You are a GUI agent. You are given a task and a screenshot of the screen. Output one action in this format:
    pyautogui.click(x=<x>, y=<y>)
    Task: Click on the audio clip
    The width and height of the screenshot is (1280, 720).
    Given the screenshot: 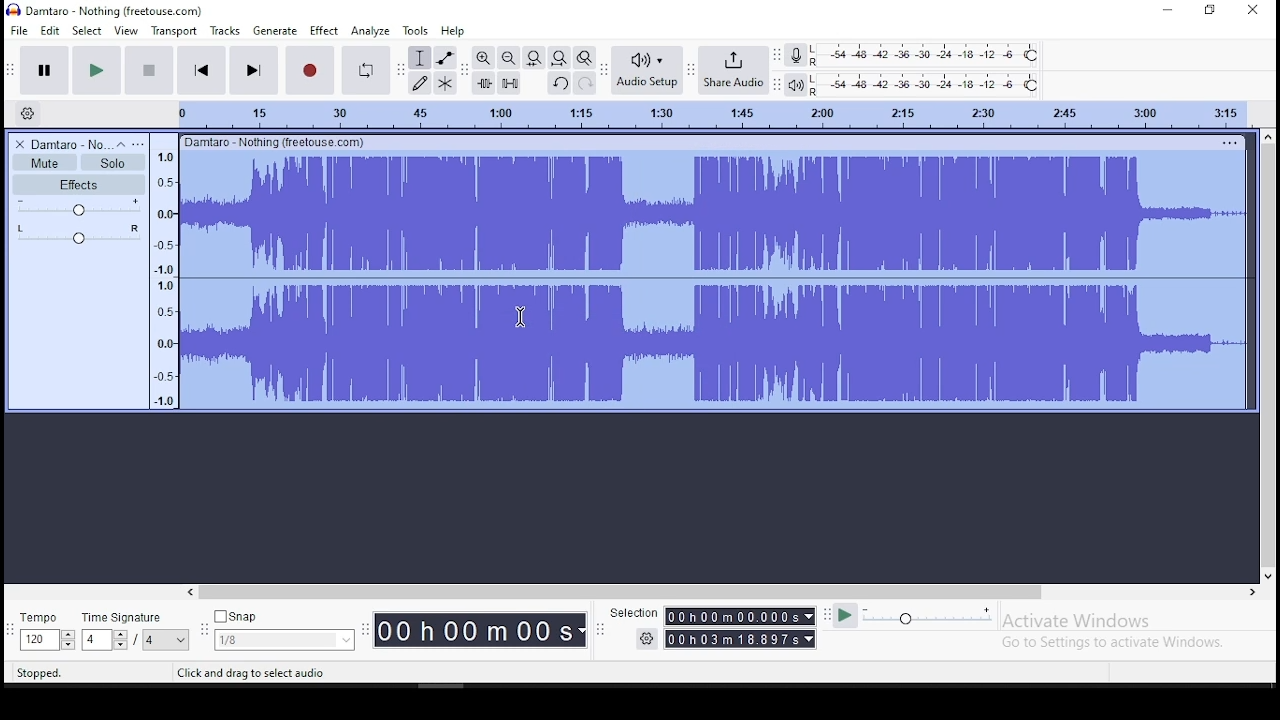 What is the action you would take?
    pyautogui.click(x=712, y=280)
    